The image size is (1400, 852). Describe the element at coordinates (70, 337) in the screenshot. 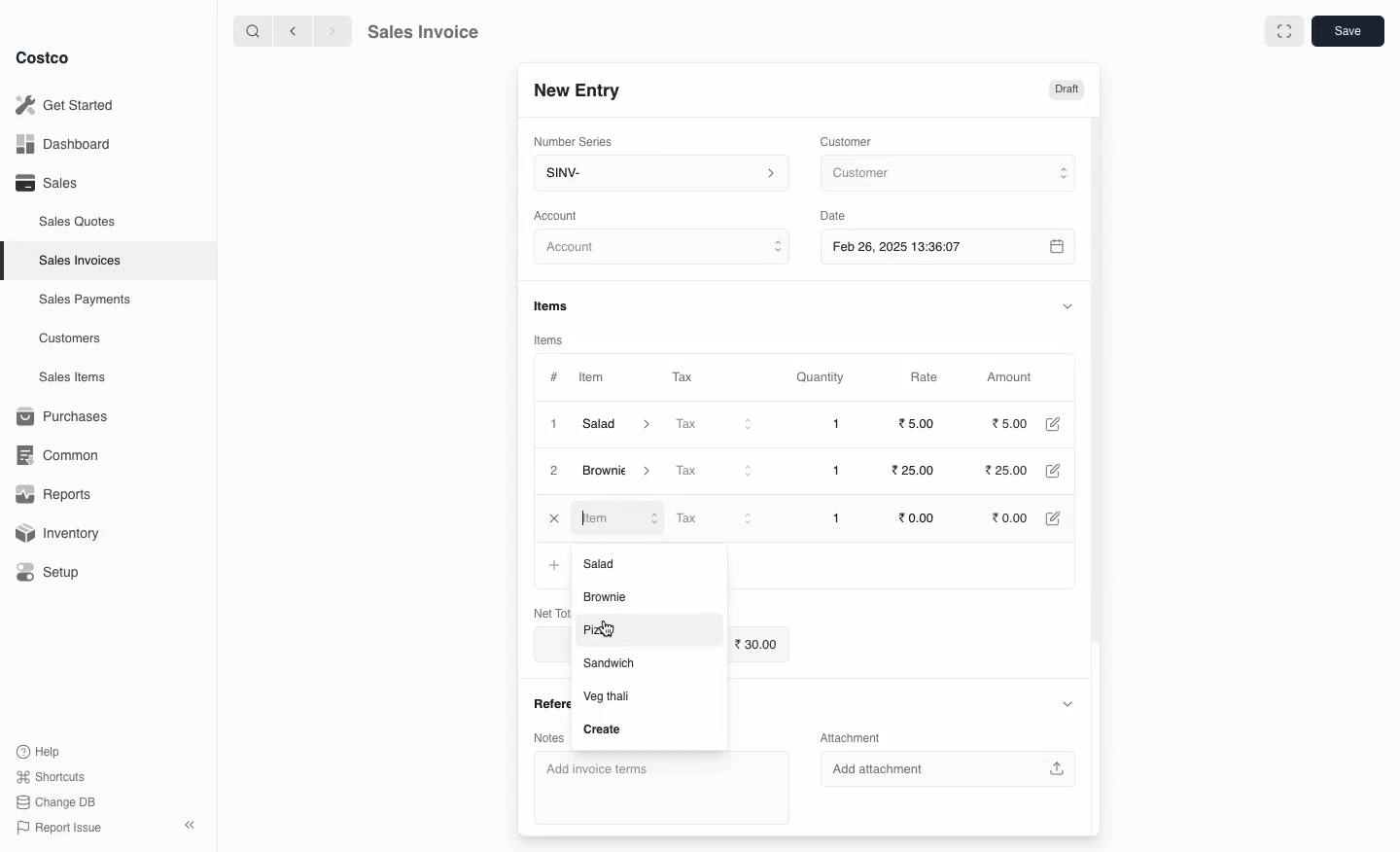

I see `Customers` at that location.